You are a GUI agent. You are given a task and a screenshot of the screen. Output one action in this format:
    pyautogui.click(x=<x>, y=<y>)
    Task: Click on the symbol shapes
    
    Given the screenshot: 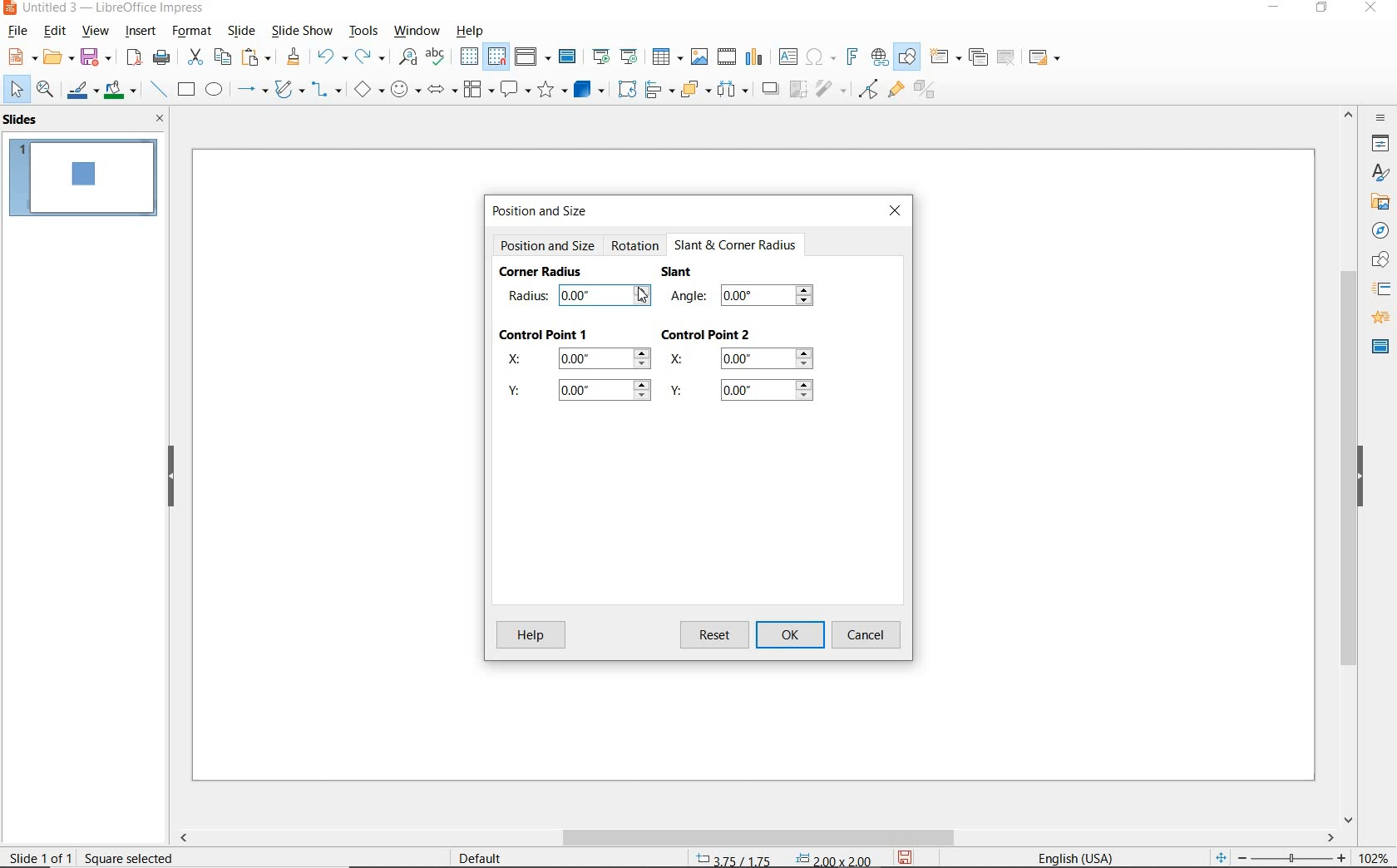 What is the action you would take?
    pyautogui.click(x=405, y=91)
    